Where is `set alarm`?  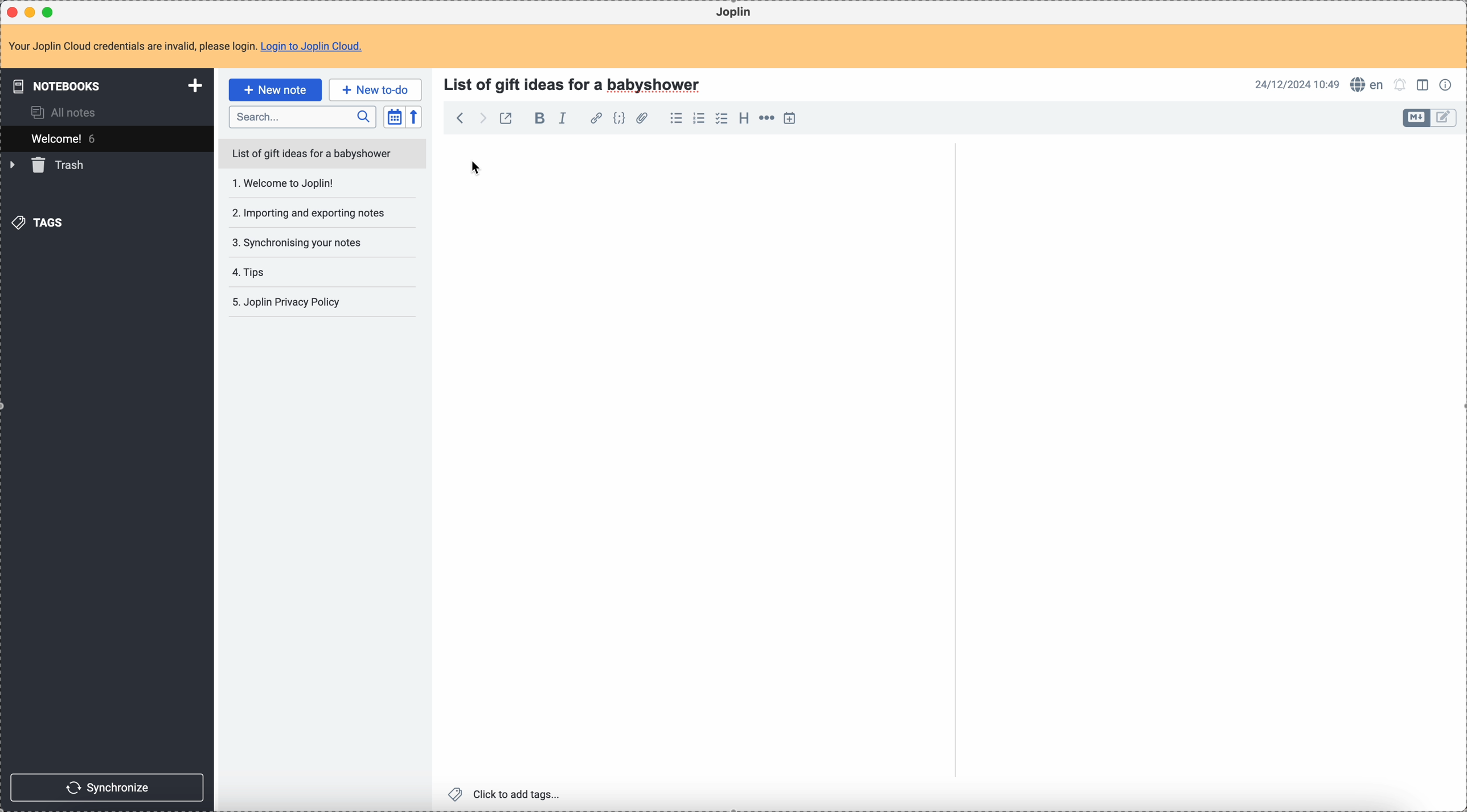 set alarm is located at coordinates (1400, 85).